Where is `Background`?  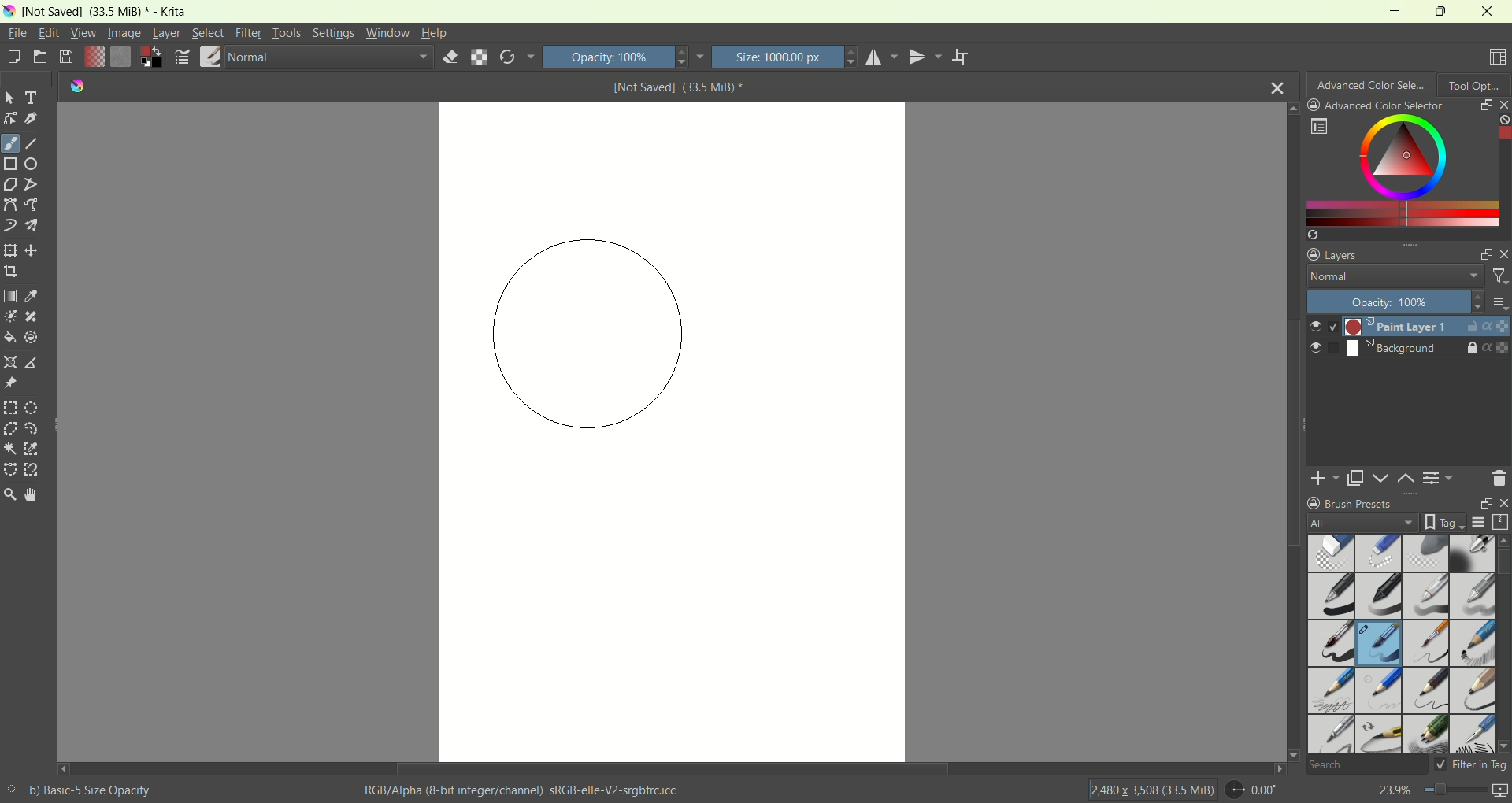
Background is located at coordinates (1372, 349).